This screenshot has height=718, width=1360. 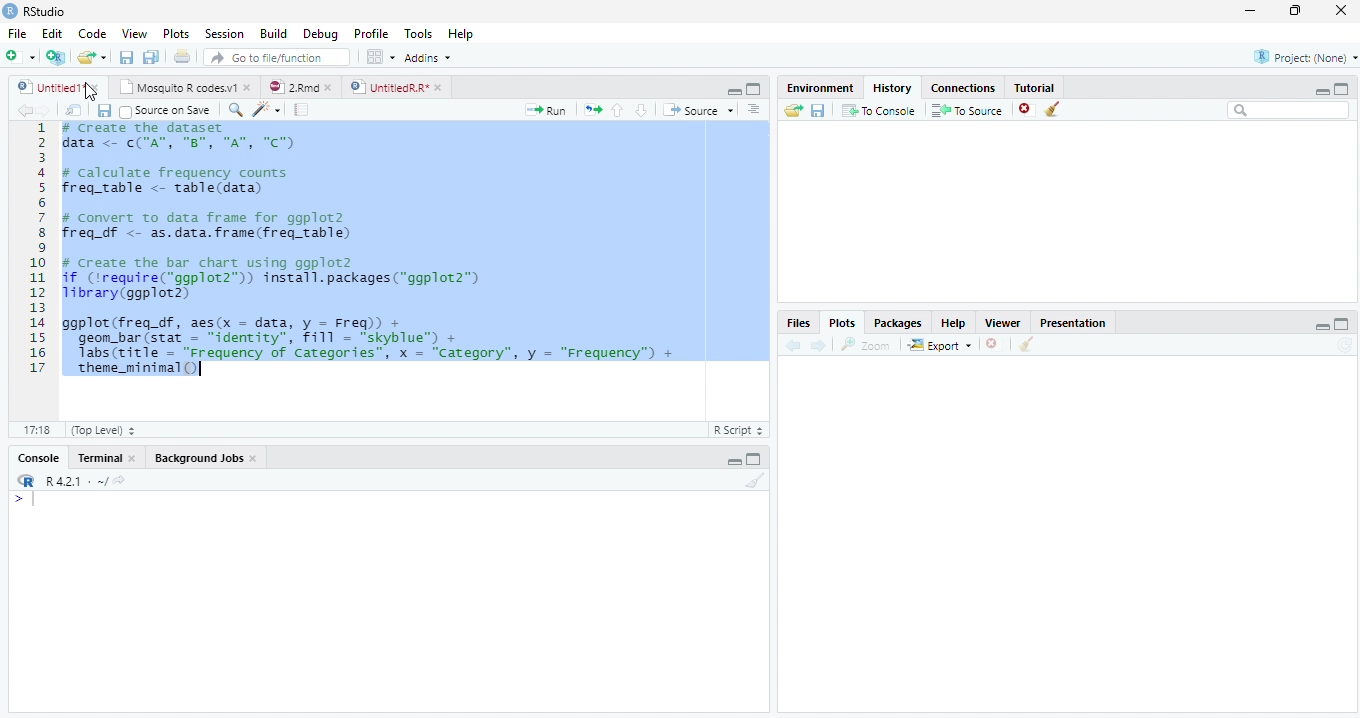 What do you see at coordinates (994, 343) in the screenshot?
I see `delete ` at bounding box center [994, 343].